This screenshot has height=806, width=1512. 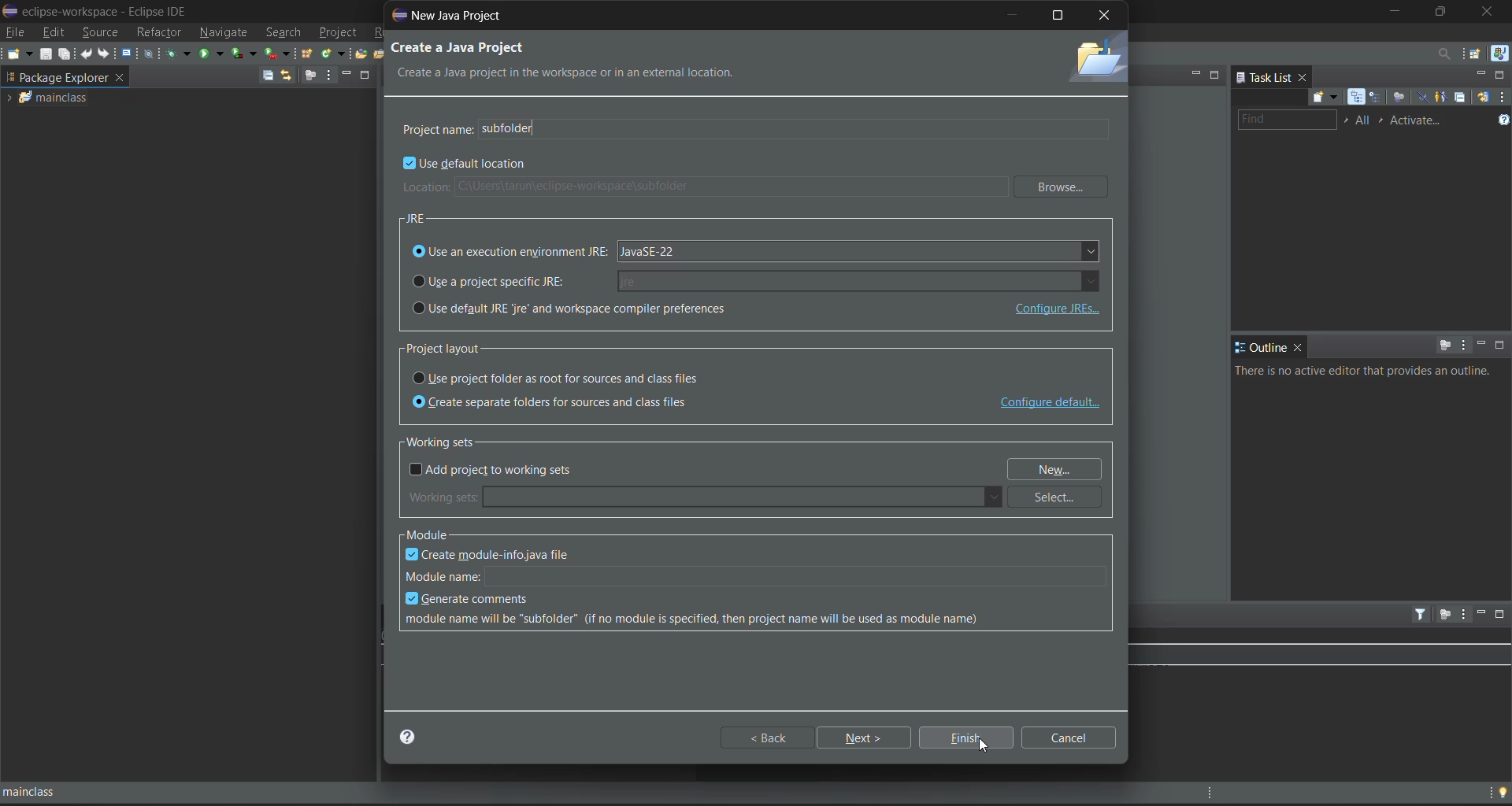 I want to click on configure JREs, so click(x=1054, y=309).